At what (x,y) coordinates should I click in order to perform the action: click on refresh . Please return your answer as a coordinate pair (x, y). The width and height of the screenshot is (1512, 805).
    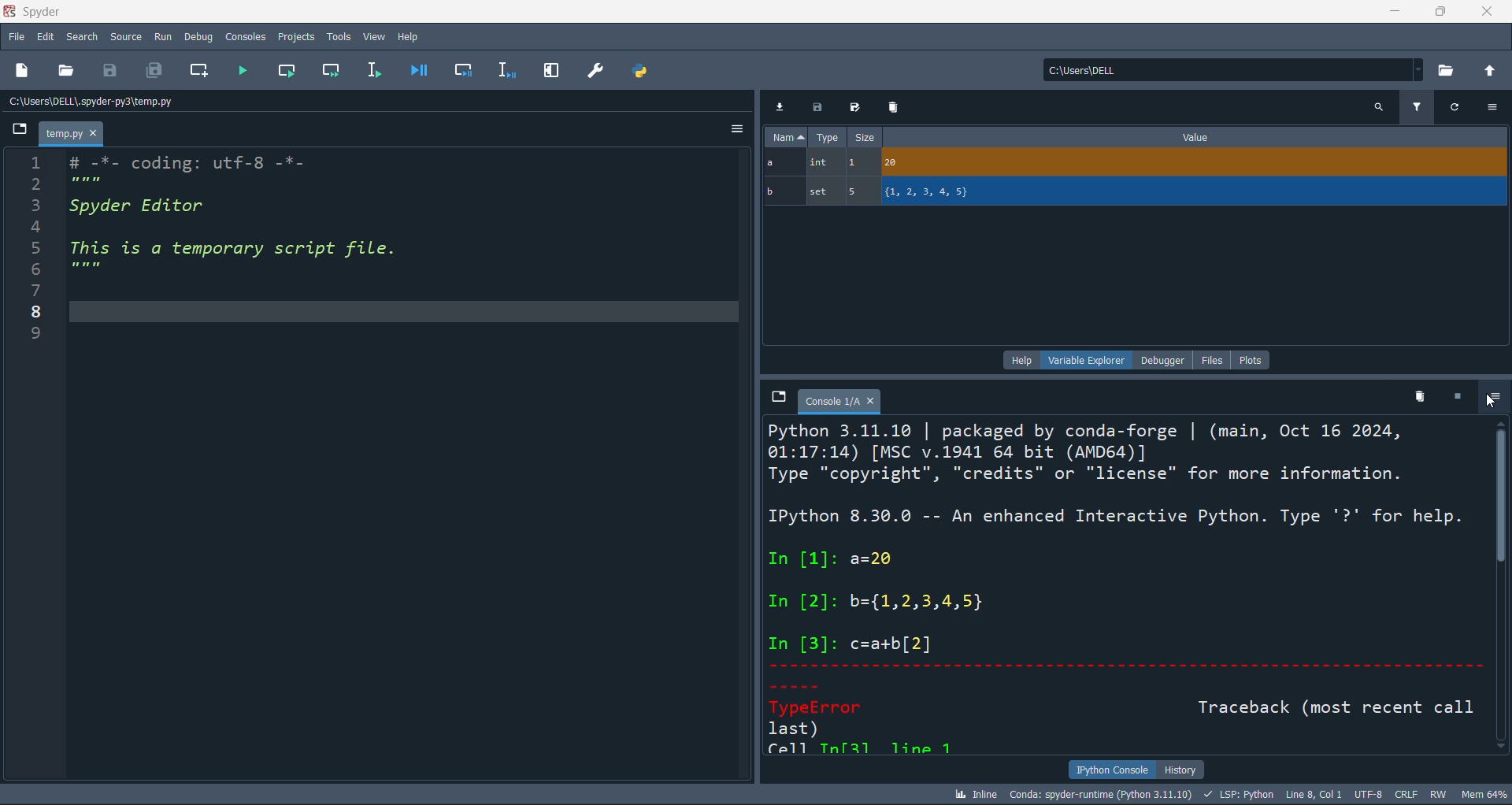
    Looking at the image, I should click on (1453, 106).